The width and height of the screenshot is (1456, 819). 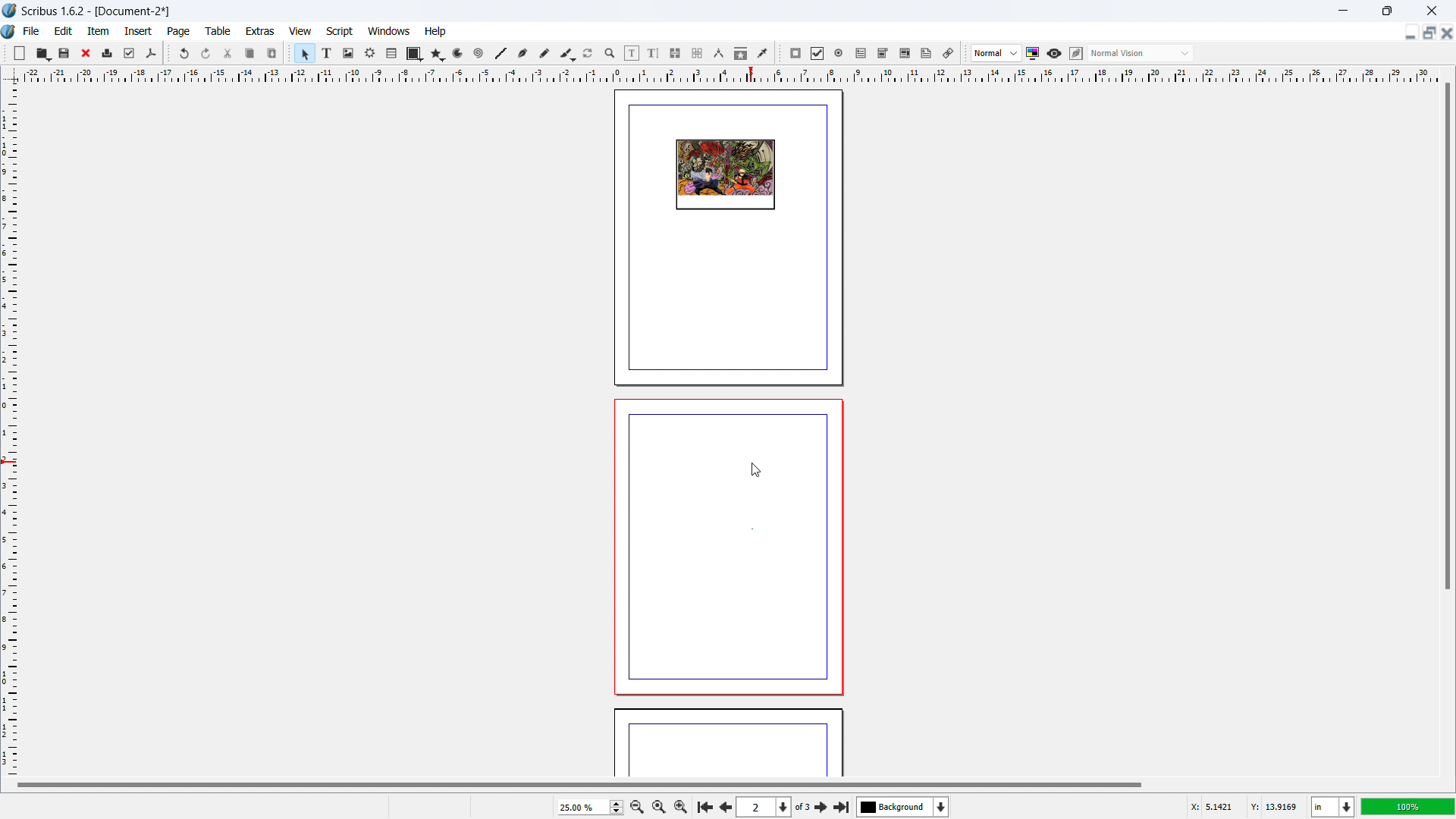 What do you see at coordinates (130, 53) in the screenshot?
I see `preflight checkbox` at bounding box center [130, 53].